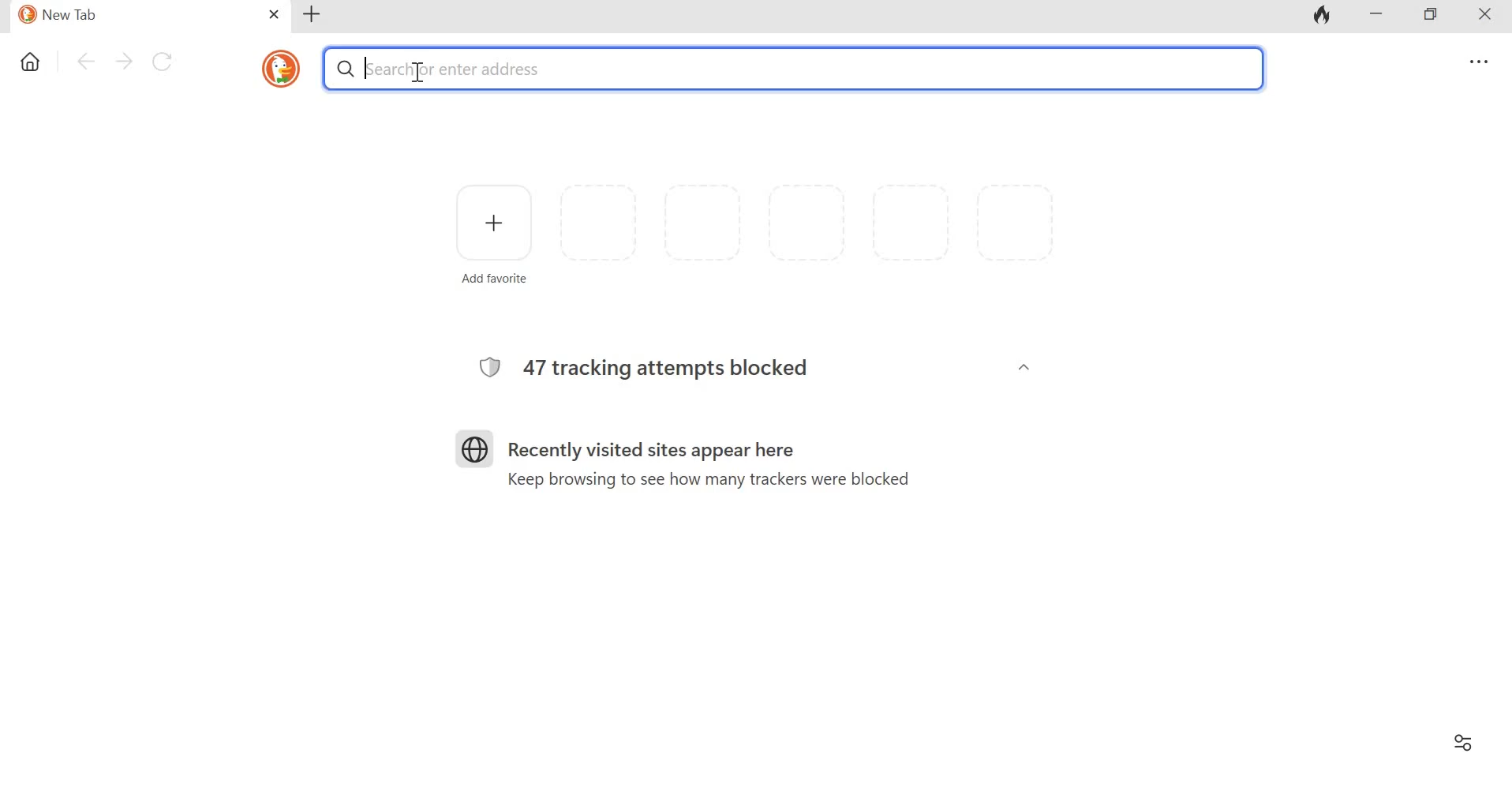  Describe the element at coordinates (32, 58) in the screenshot. I see `Home` at that location.